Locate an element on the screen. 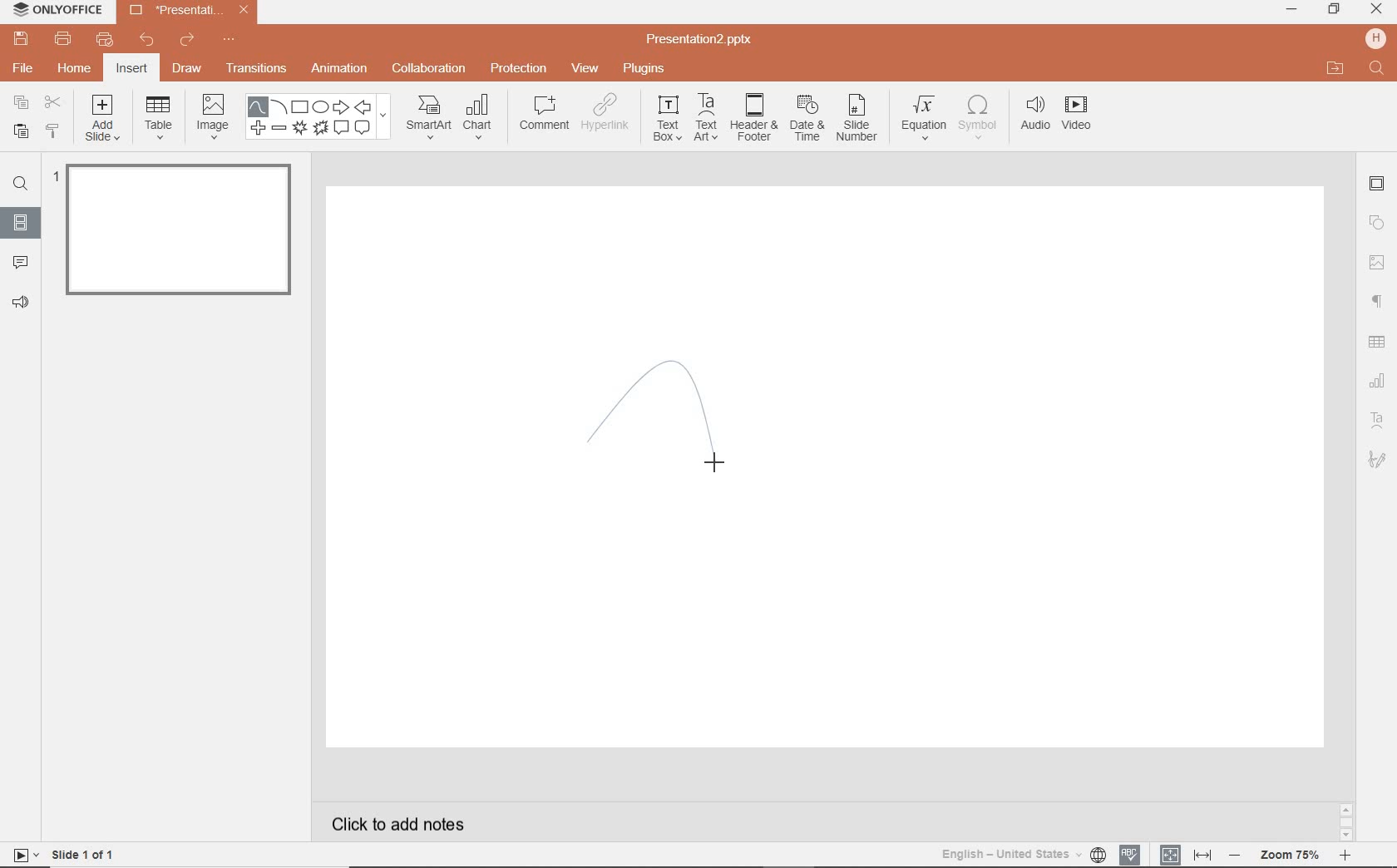 Image resolution: width=1397 pixels, height=868 pixels. FIT TO SLIDE / FIT TO WIDTH is located at coordinates (1186, 853).